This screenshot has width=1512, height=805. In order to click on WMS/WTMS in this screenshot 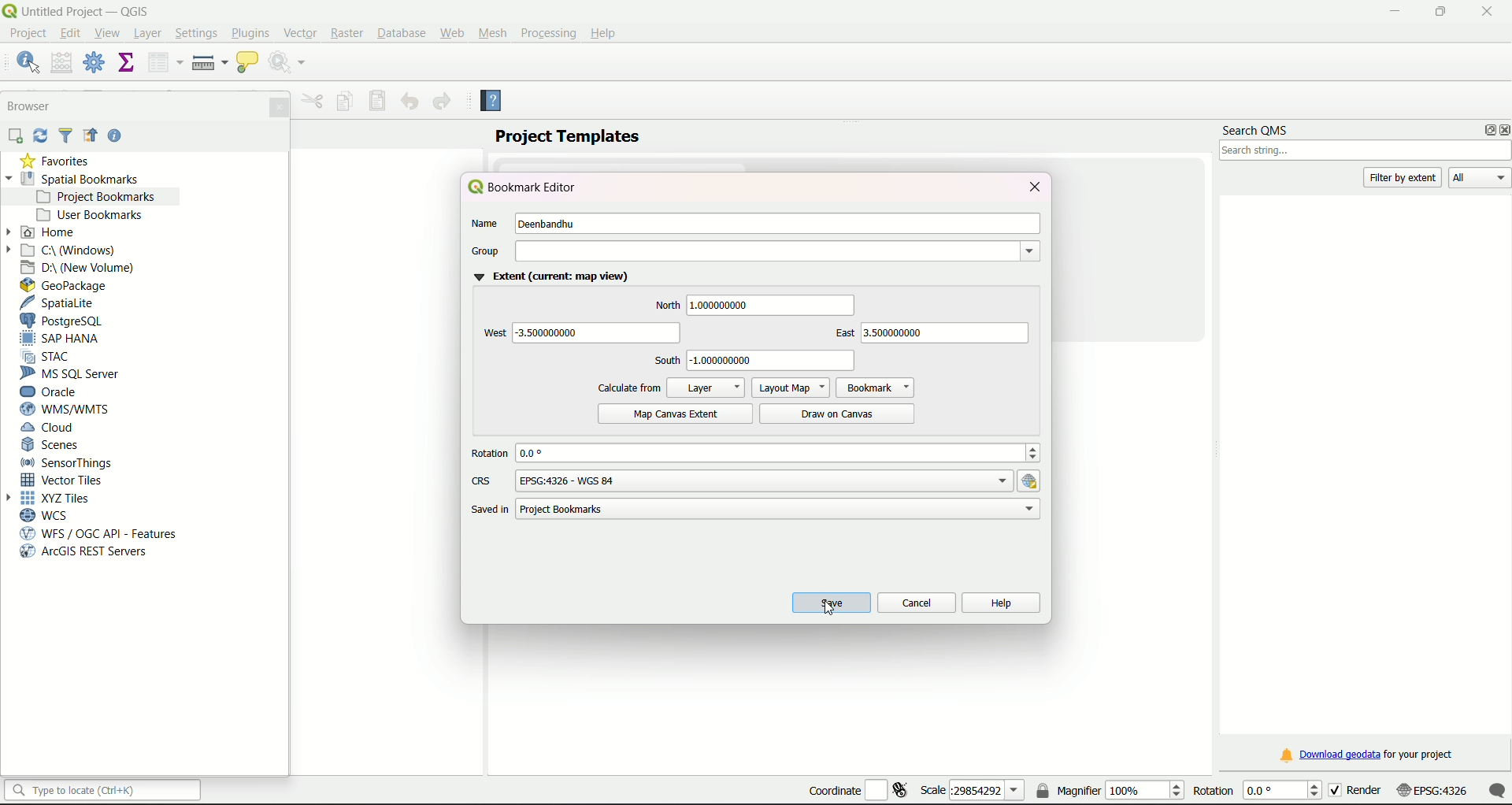, I will do `click(70, 410)`.